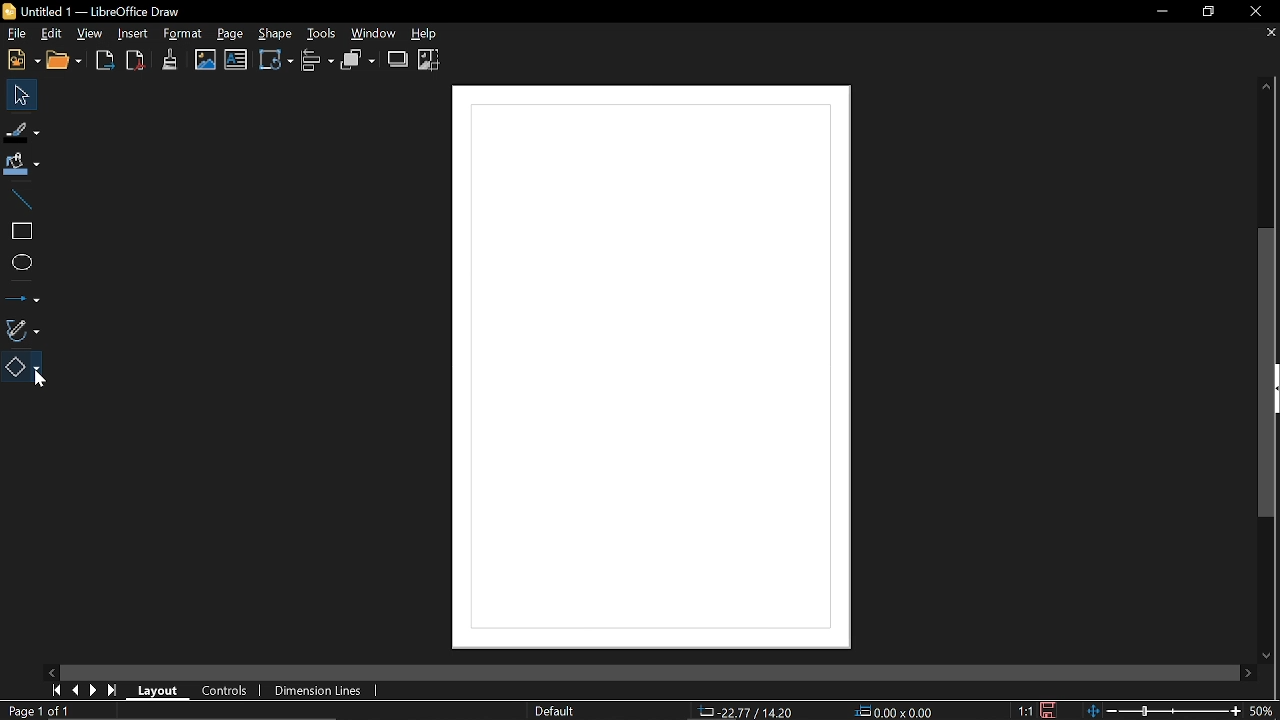 The height and width of the screenshot is (720, 1280). Describe the element at coordinates (1264, 655) in the screenshot. I see `Move down` at that location.